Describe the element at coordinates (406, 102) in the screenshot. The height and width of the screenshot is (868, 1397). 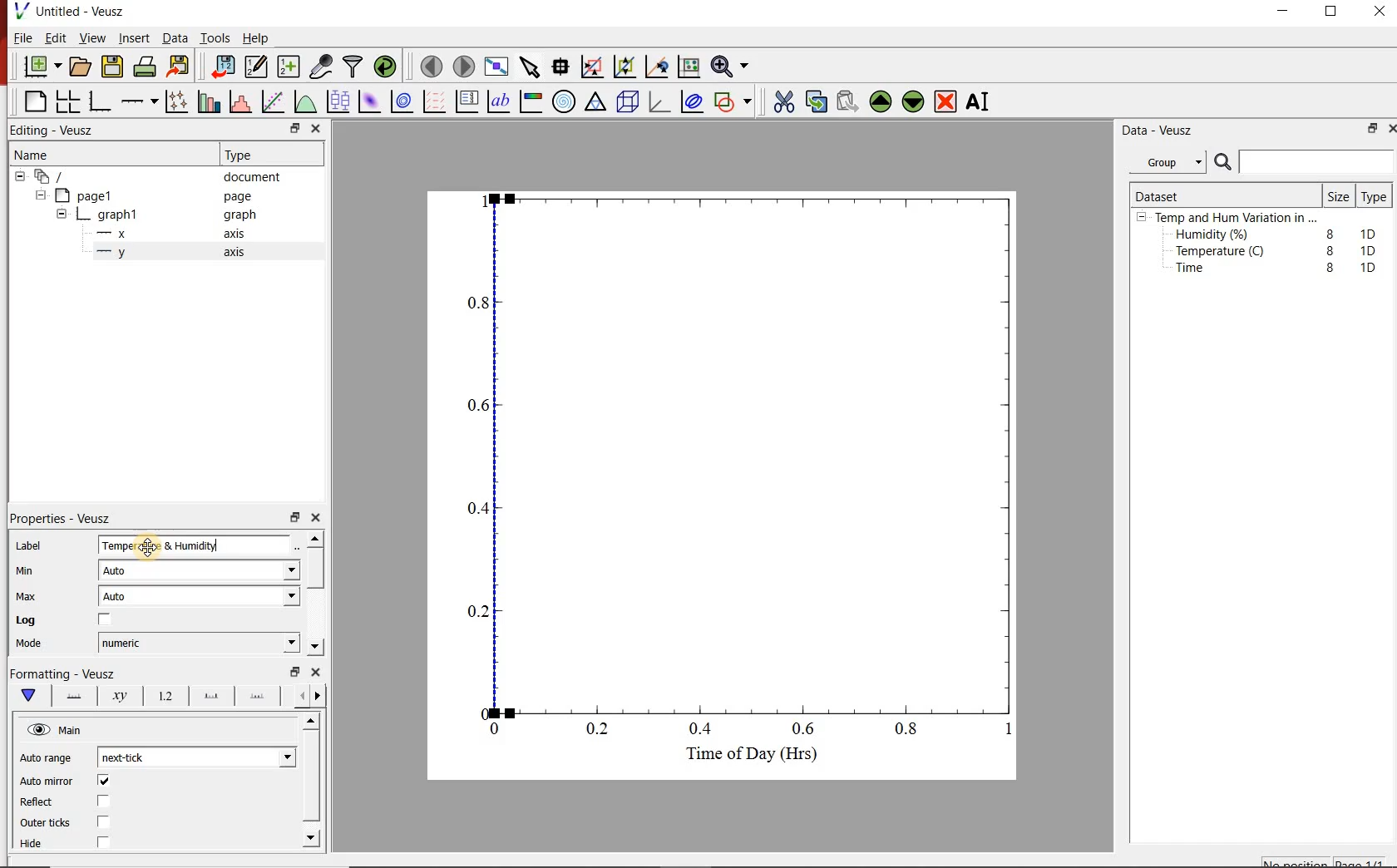
I see `plot a 2d dataset as contours` at that location.